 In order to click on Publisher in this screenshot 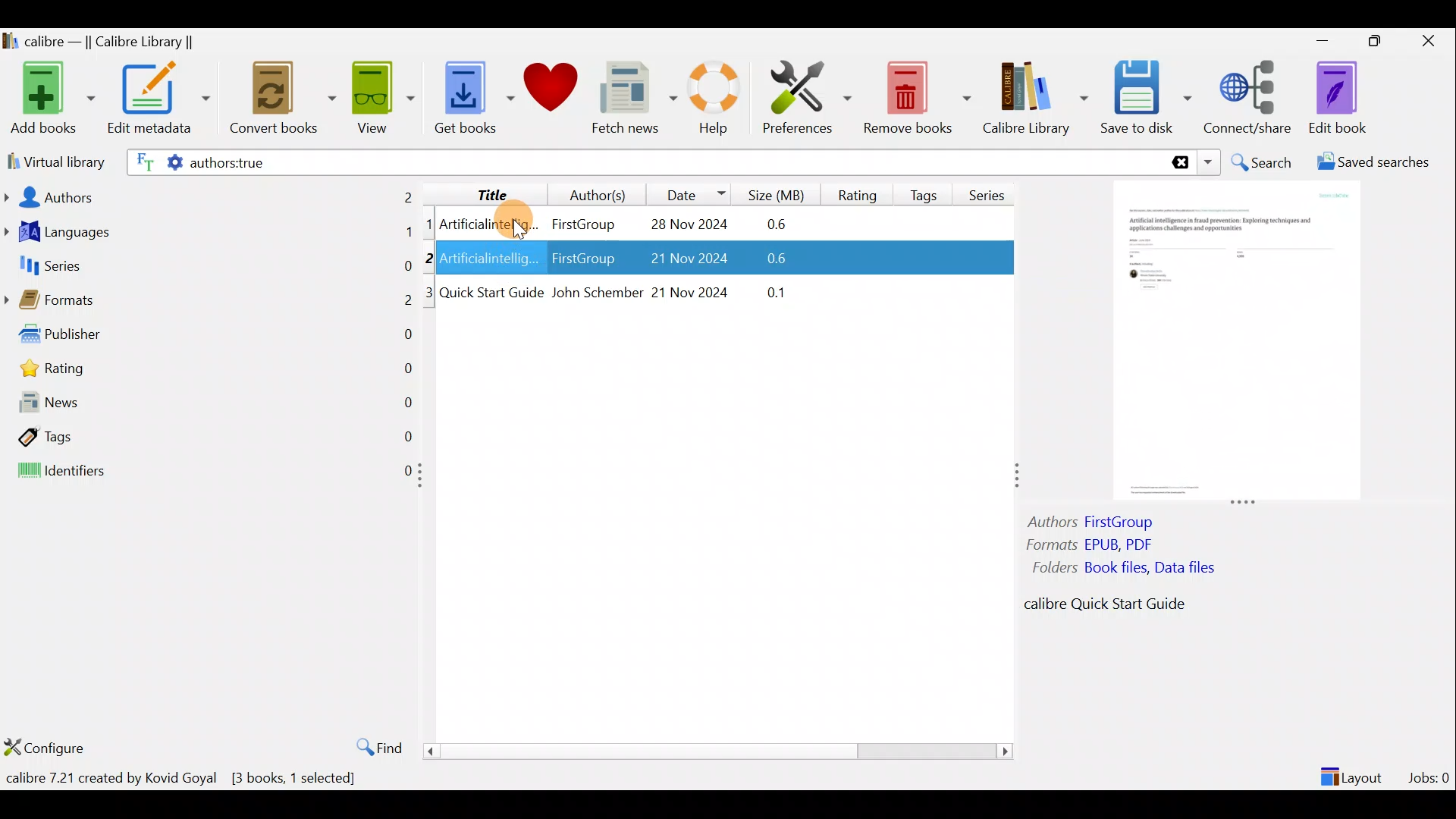, I will do `click(211, 337)`.